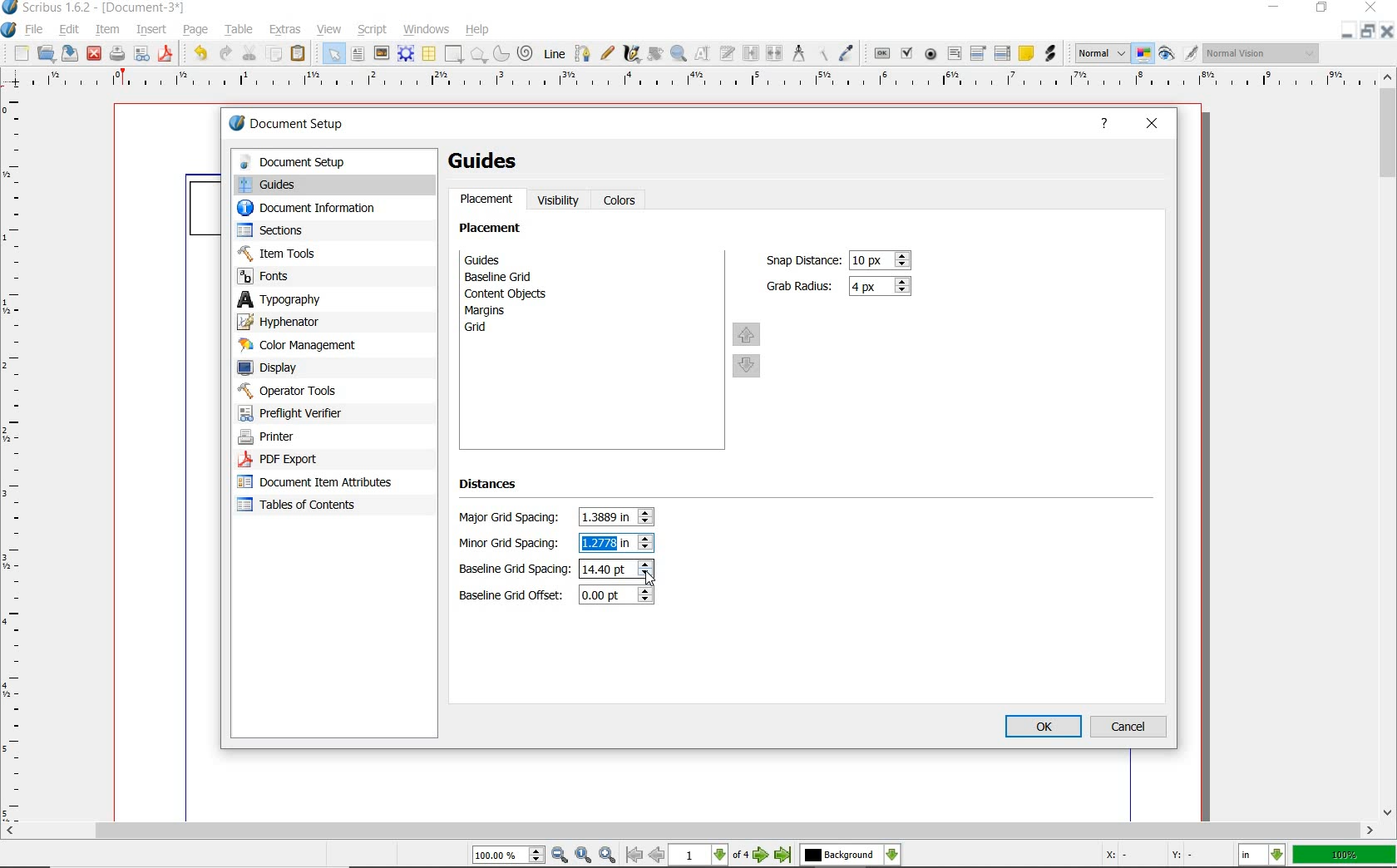 This screenshot has height=868, width=1397. I want to click on Bezier curve, so click(582, 53).